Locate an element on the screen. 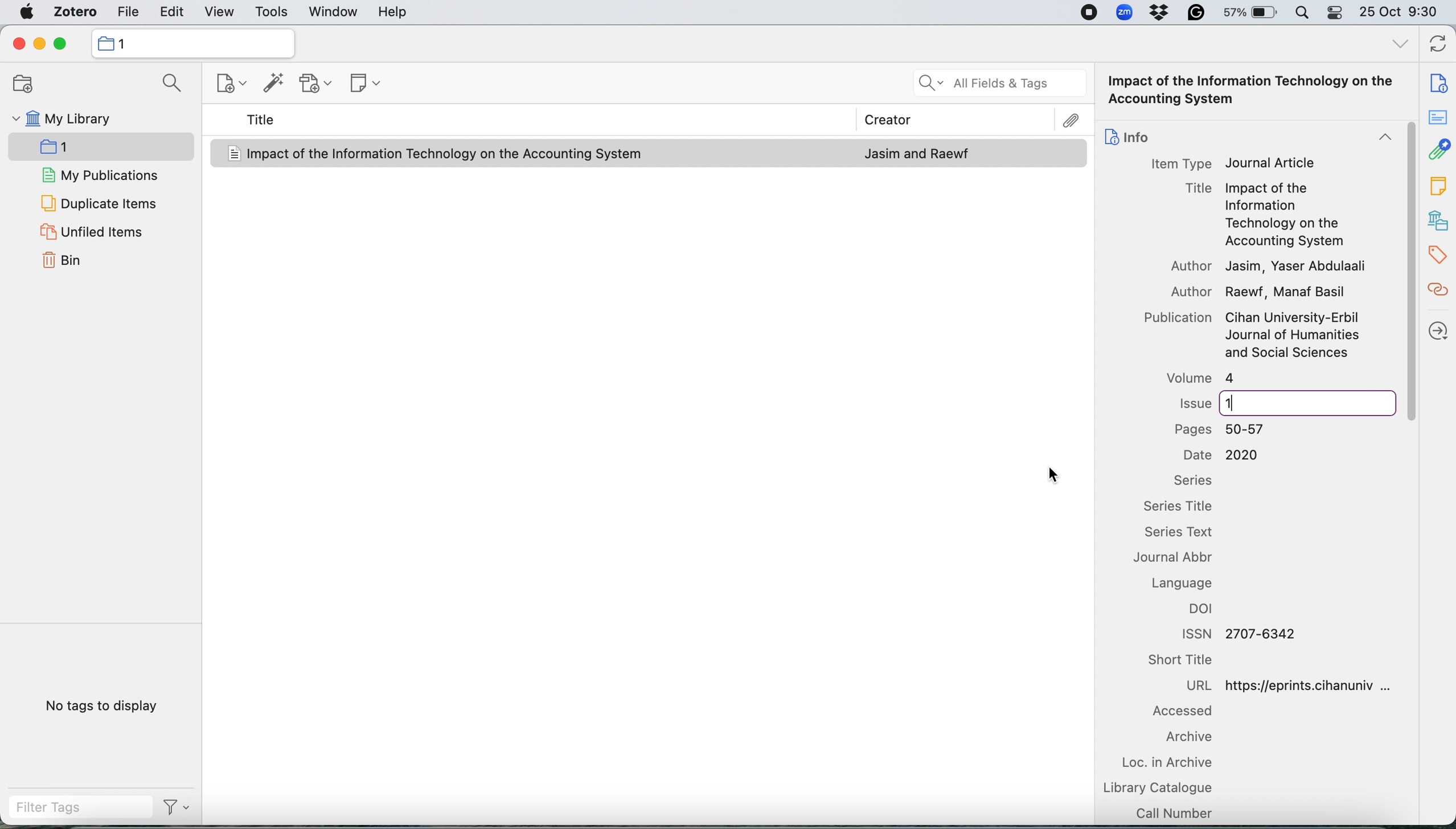  tools is located at coordinates (272, 11).